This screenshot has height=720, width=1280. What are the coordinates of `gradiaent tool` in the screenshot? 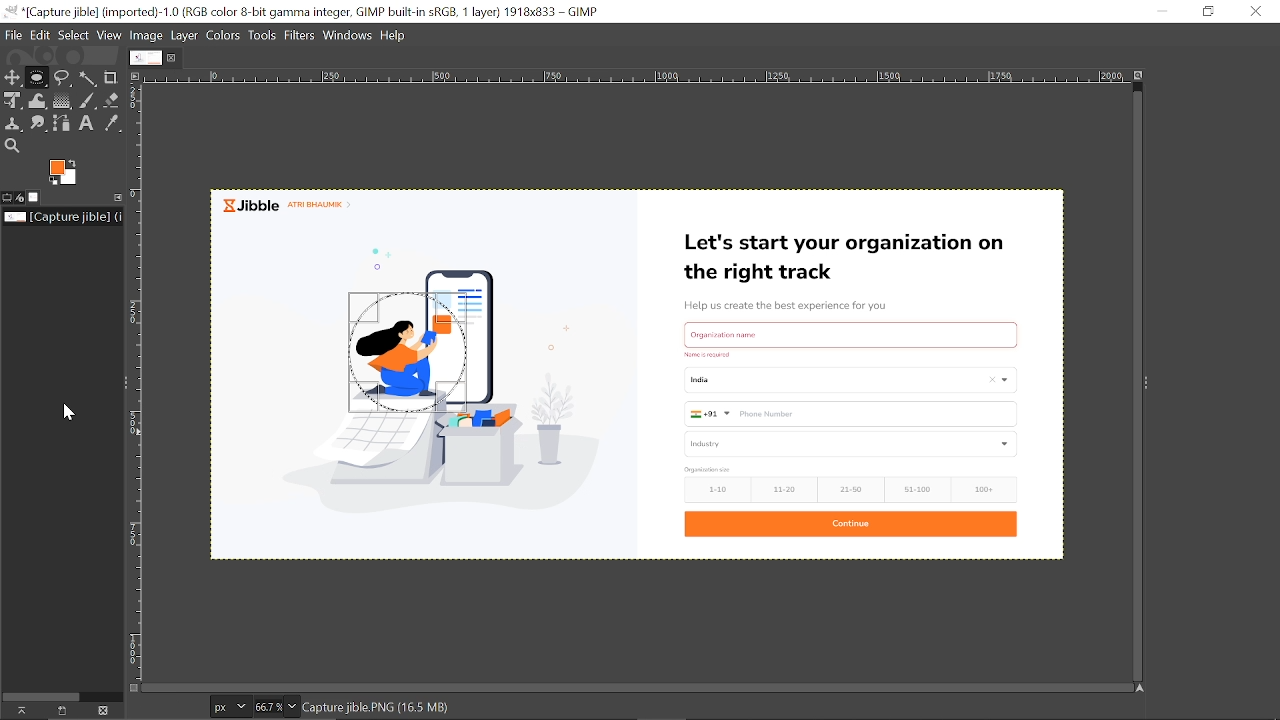 It's located at (61, 100).